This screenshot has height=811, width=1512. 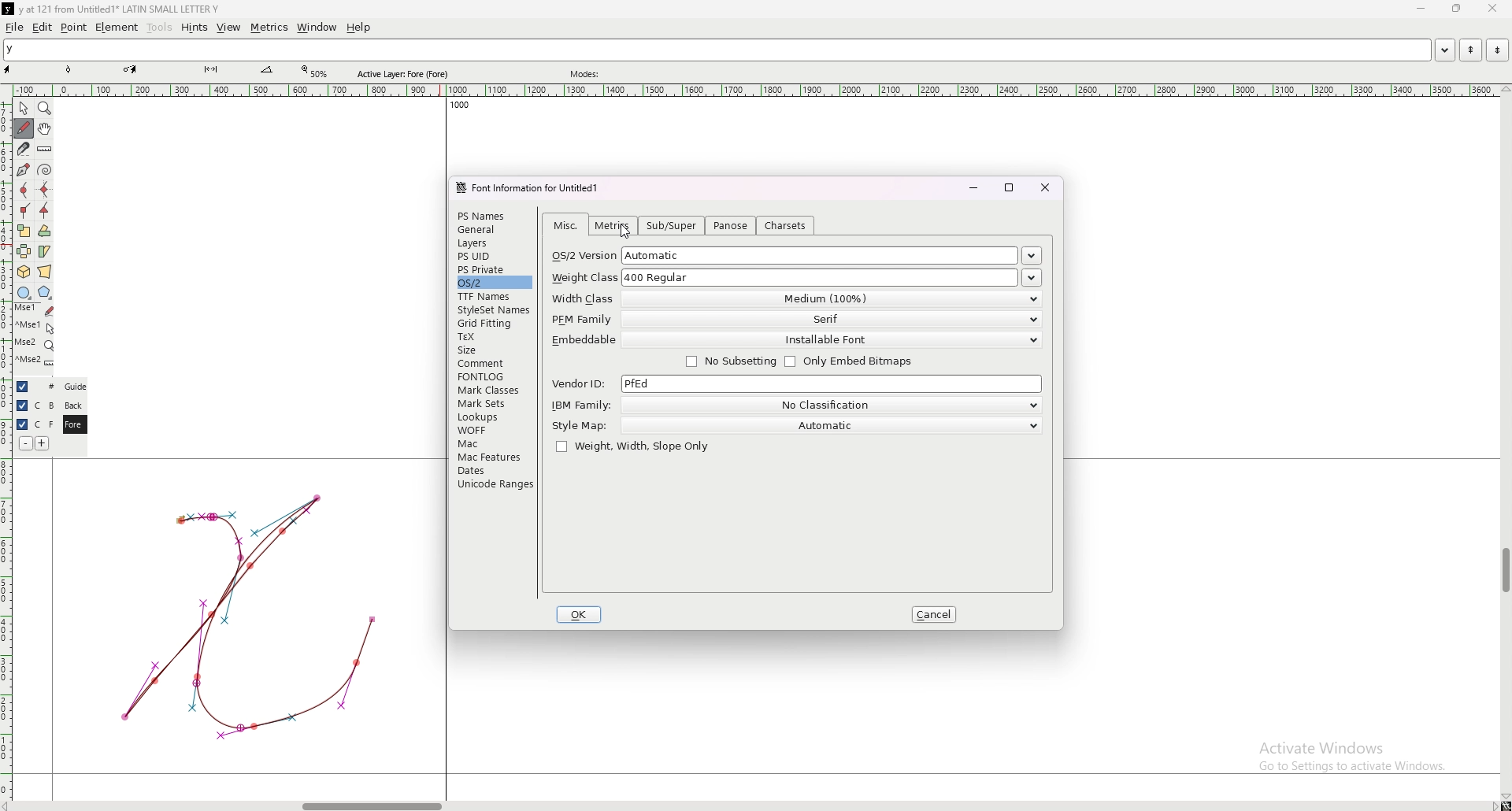 What do you see at coordinates (45, 190) in the screenshot?
I see `add a horizontal or vertical curve point` at bounding box center [45, 190].